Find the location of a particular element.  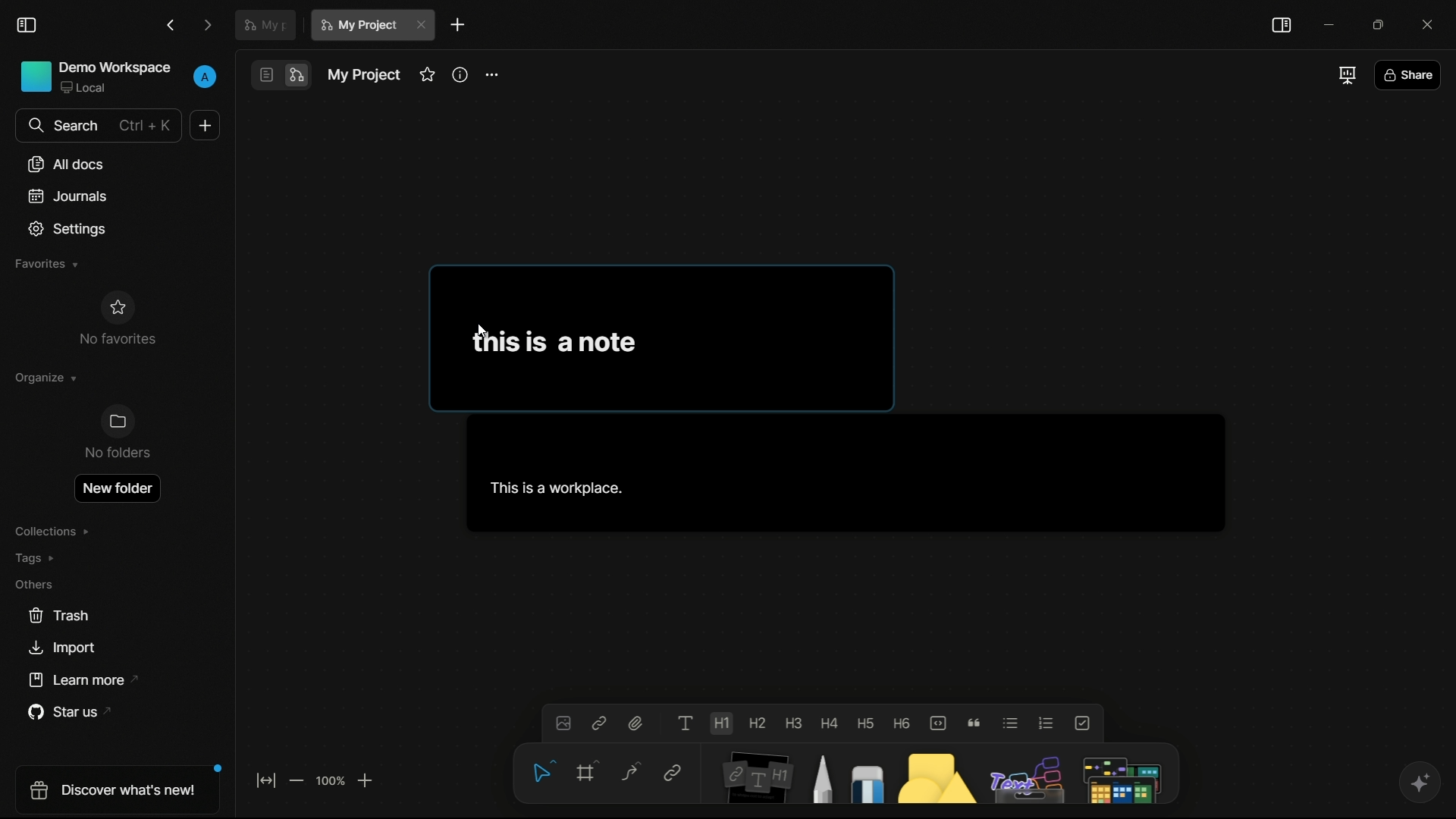

favorites is located at coordinates (49, 265).